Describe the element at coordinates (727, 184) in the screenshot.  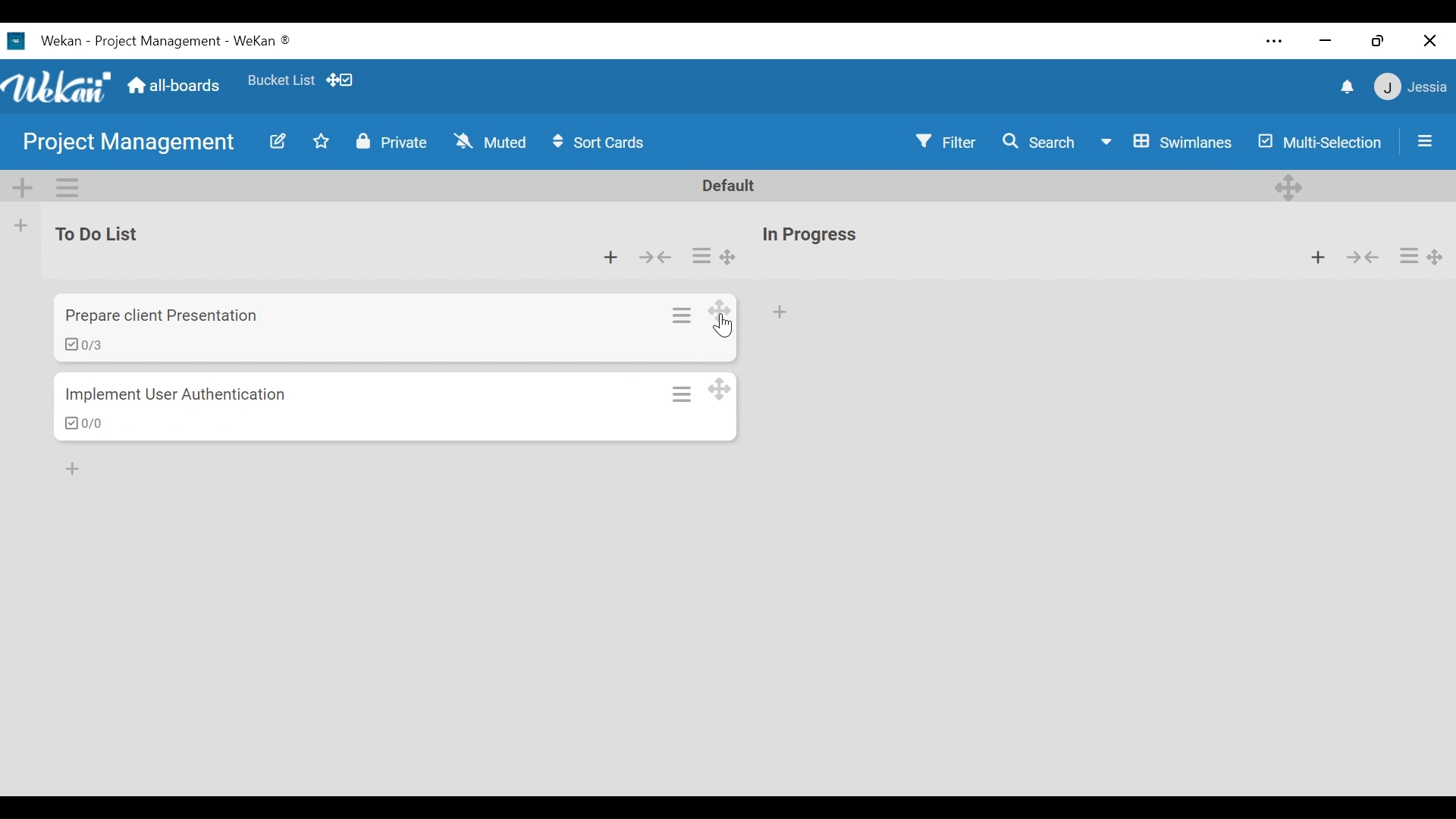
I see `Default` at that location.